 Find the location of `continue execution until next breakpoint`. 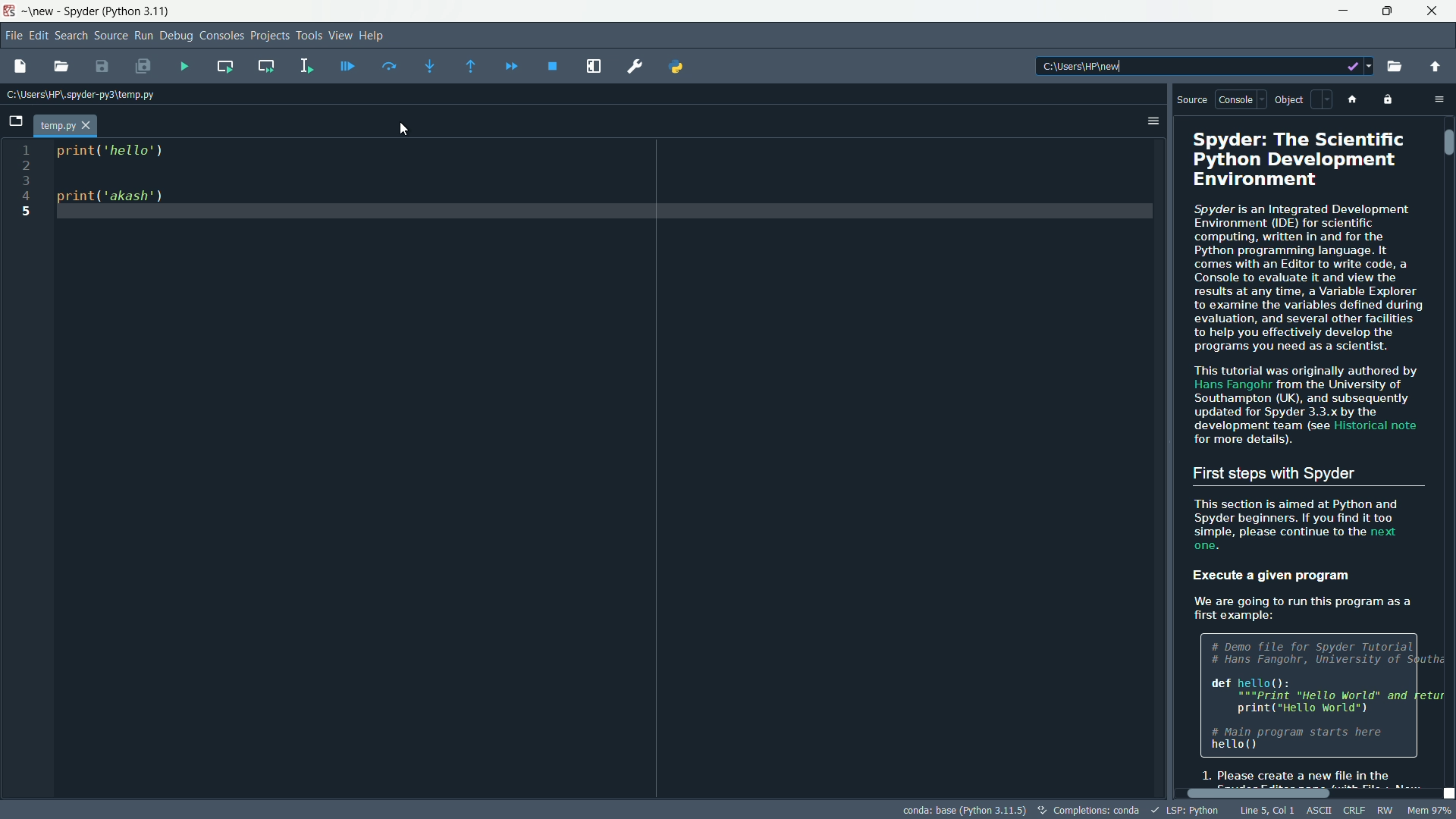

continue execution until next breakpoint is located at coordinates (508, 67).